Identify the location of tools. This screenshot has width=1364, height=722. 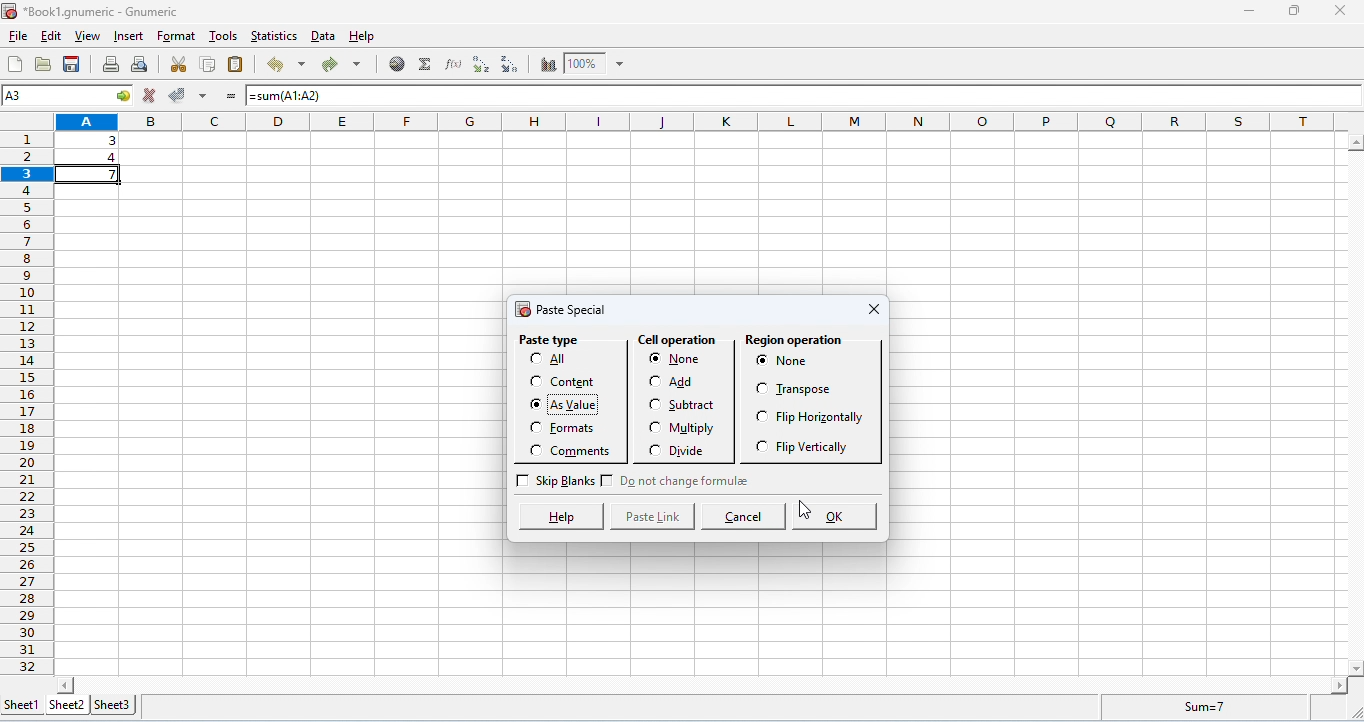
(223, 37).